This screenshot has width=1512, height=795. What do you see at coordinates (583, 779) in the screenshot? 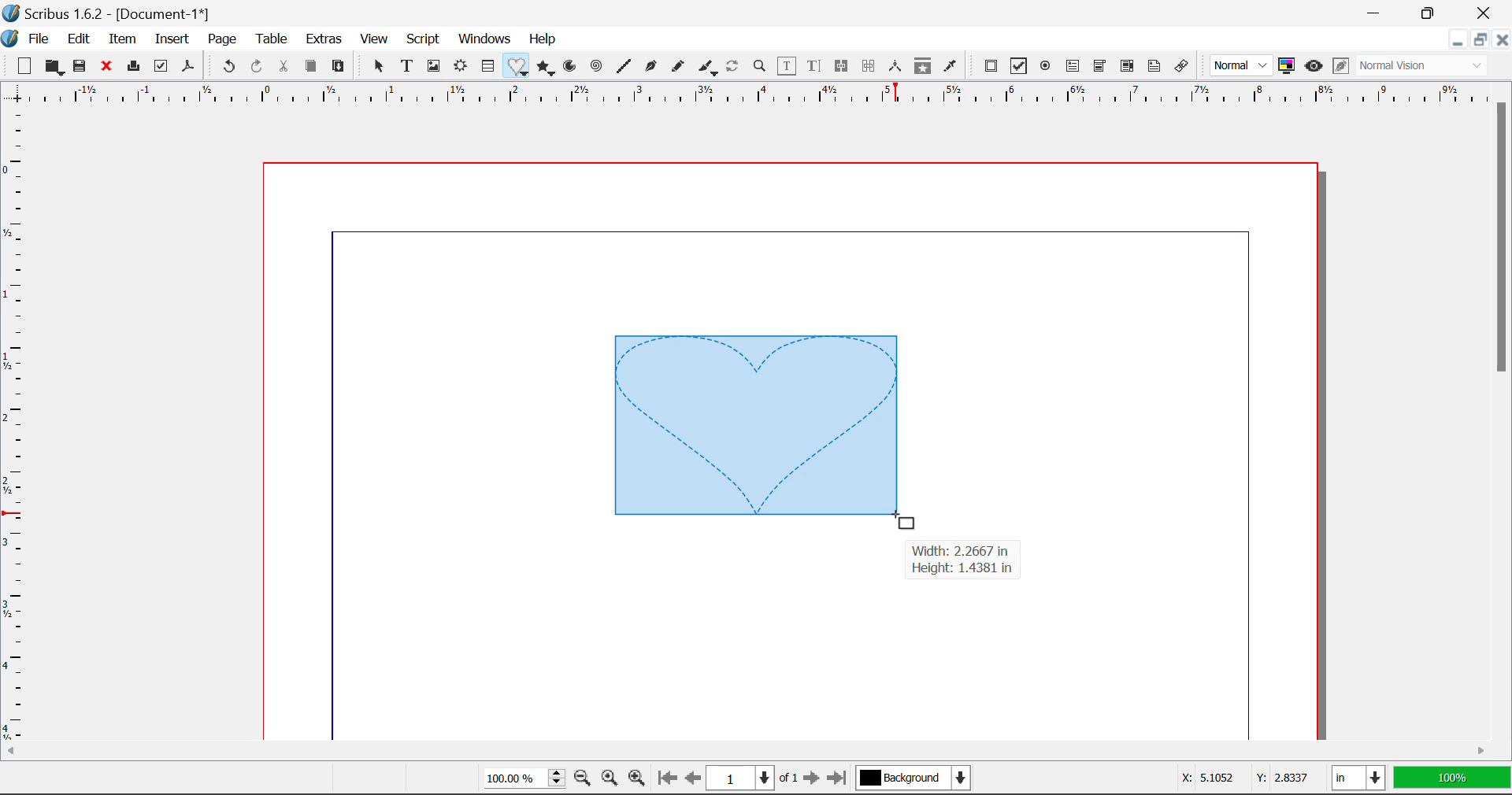
I see `Zoom Out` at bounding box center [583, 779].